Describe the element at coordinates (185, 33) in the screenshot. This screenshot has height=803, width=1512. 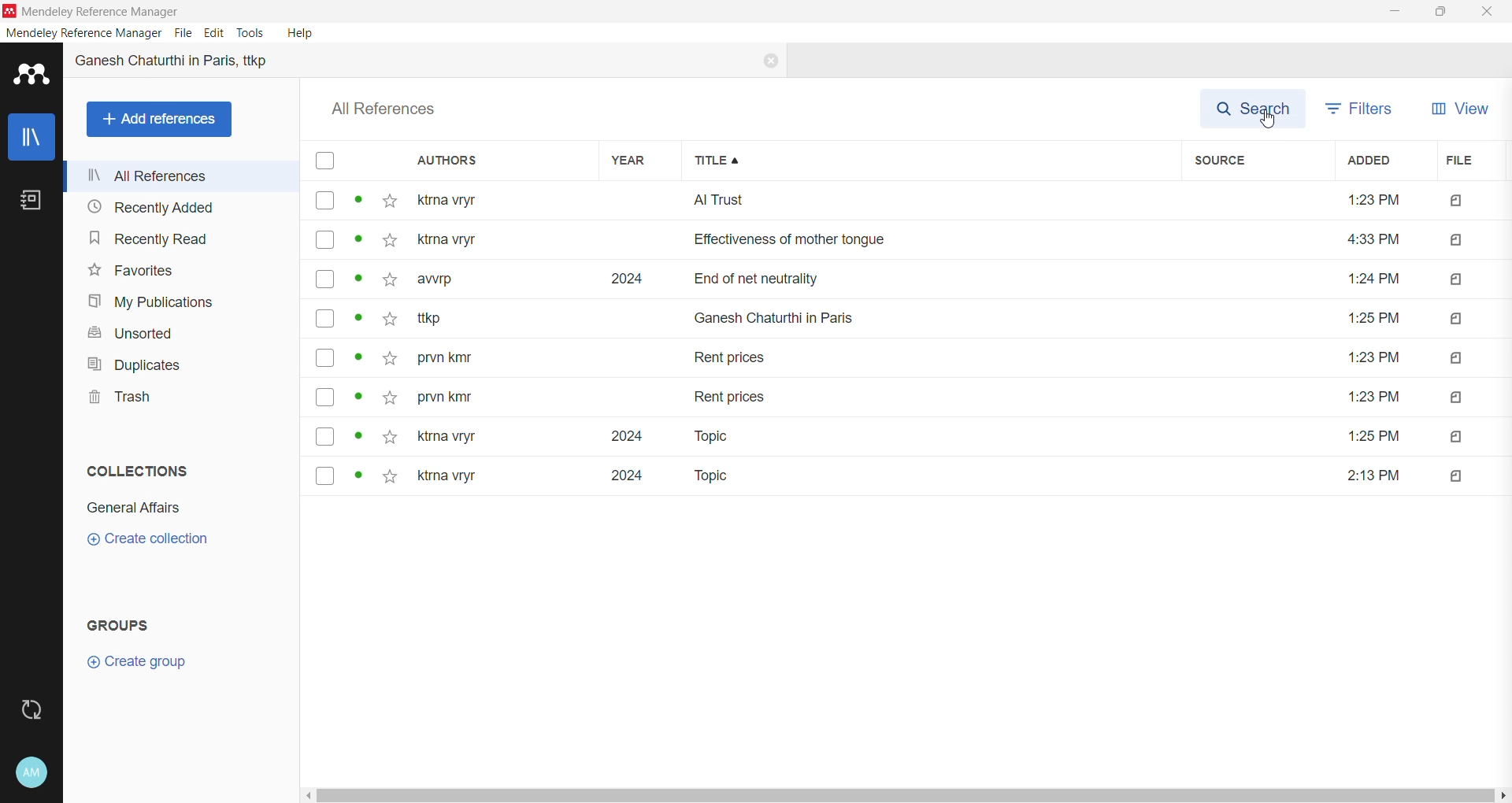
I see `File` at that location.